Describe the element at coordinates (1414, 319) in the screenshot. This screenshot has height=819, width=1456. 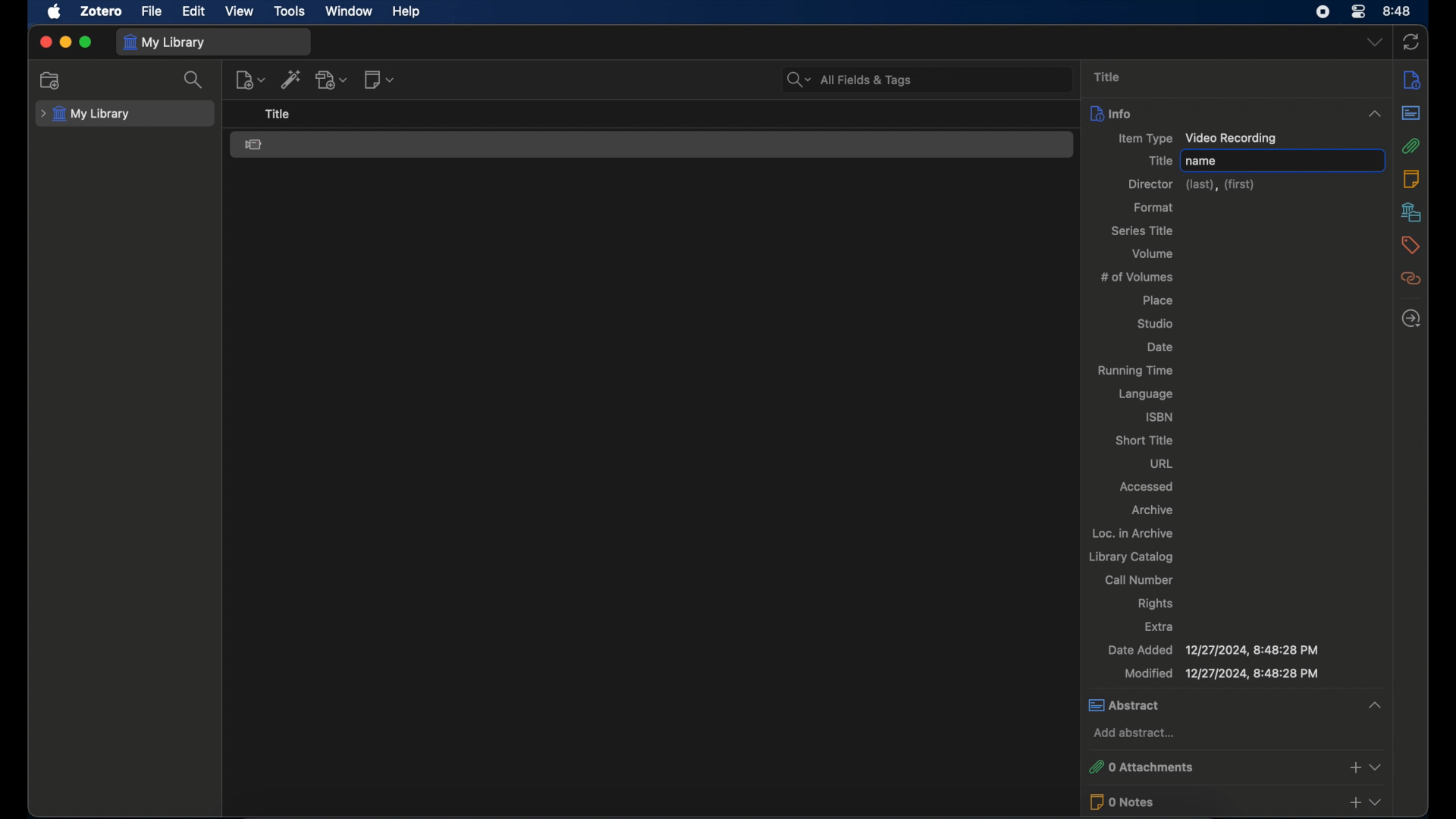
I see `locate` at that location.